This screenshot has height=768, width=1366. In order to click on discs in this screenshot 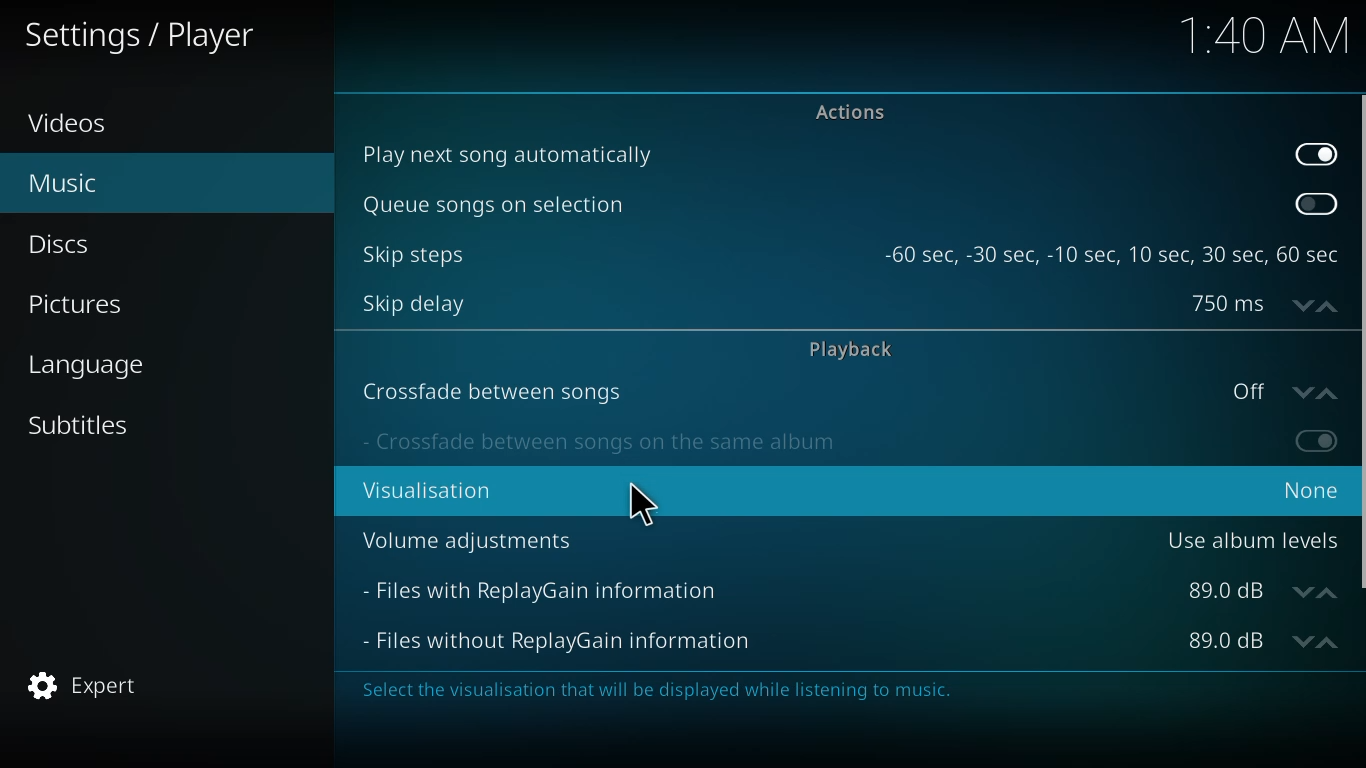, I will do `click(61, 243)`.